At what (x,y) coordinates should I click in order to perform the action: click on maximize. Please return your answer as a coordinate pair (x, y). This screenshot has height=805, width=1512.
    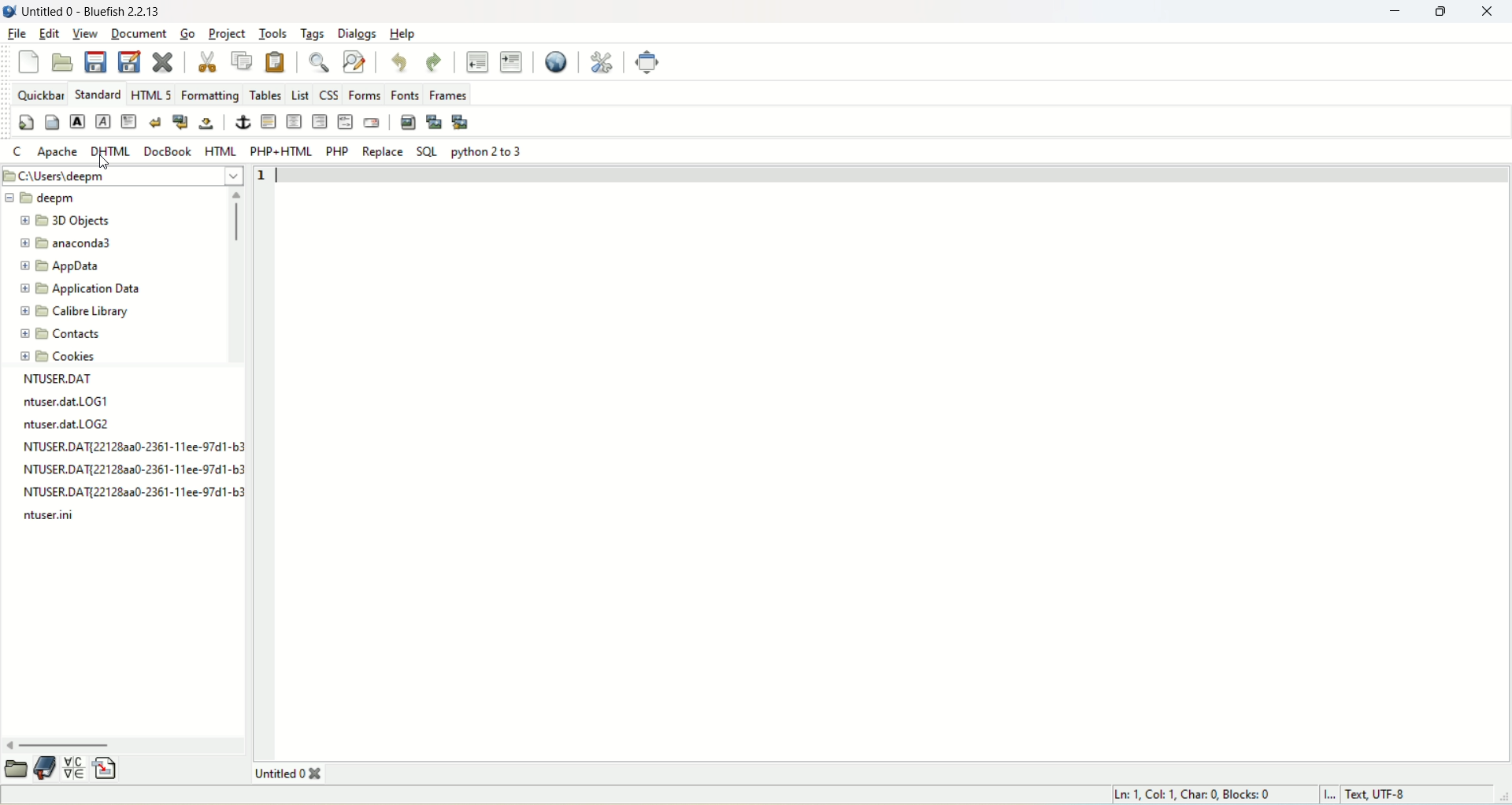
    Looking at the image, I should click on (1443, 12).